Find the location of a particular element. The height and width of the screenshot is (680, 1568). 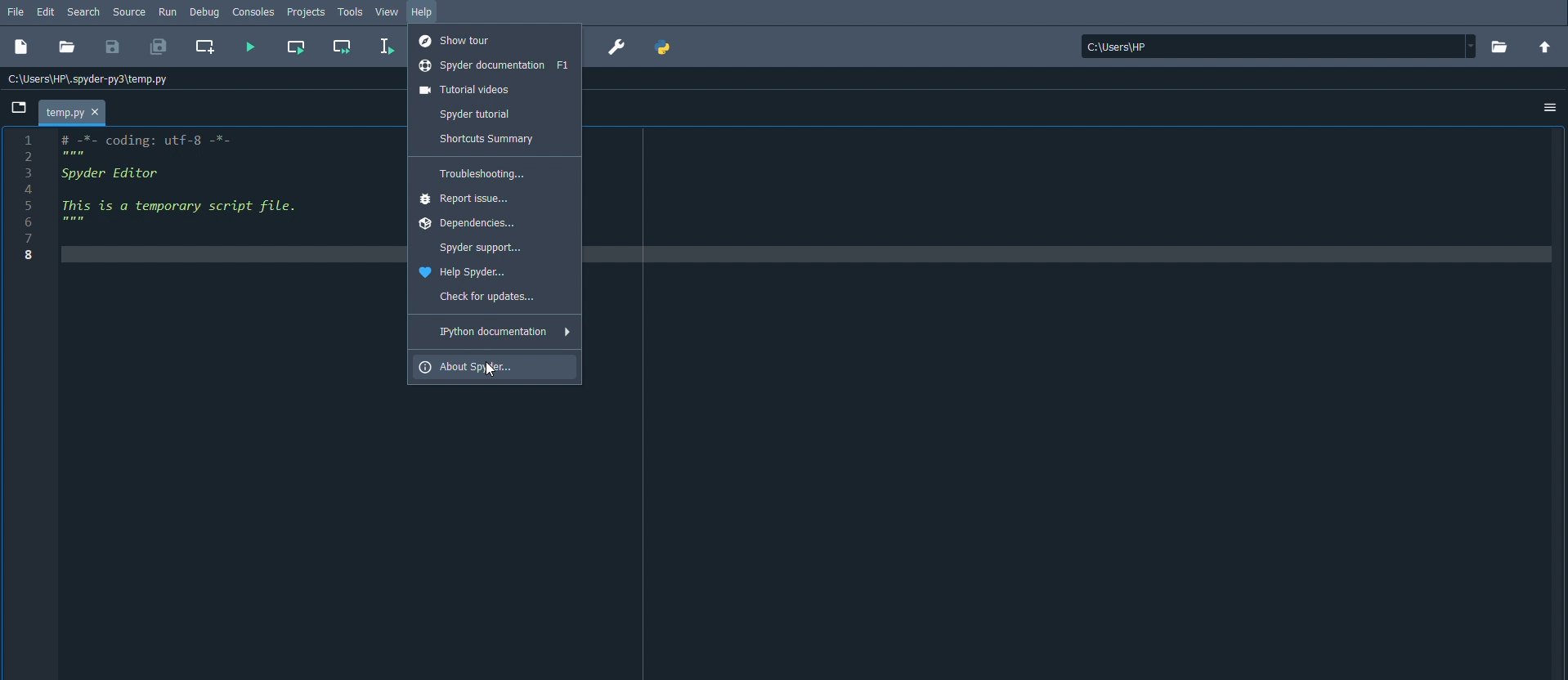

Shortcuts Summary is located at coordinates (484, 137).